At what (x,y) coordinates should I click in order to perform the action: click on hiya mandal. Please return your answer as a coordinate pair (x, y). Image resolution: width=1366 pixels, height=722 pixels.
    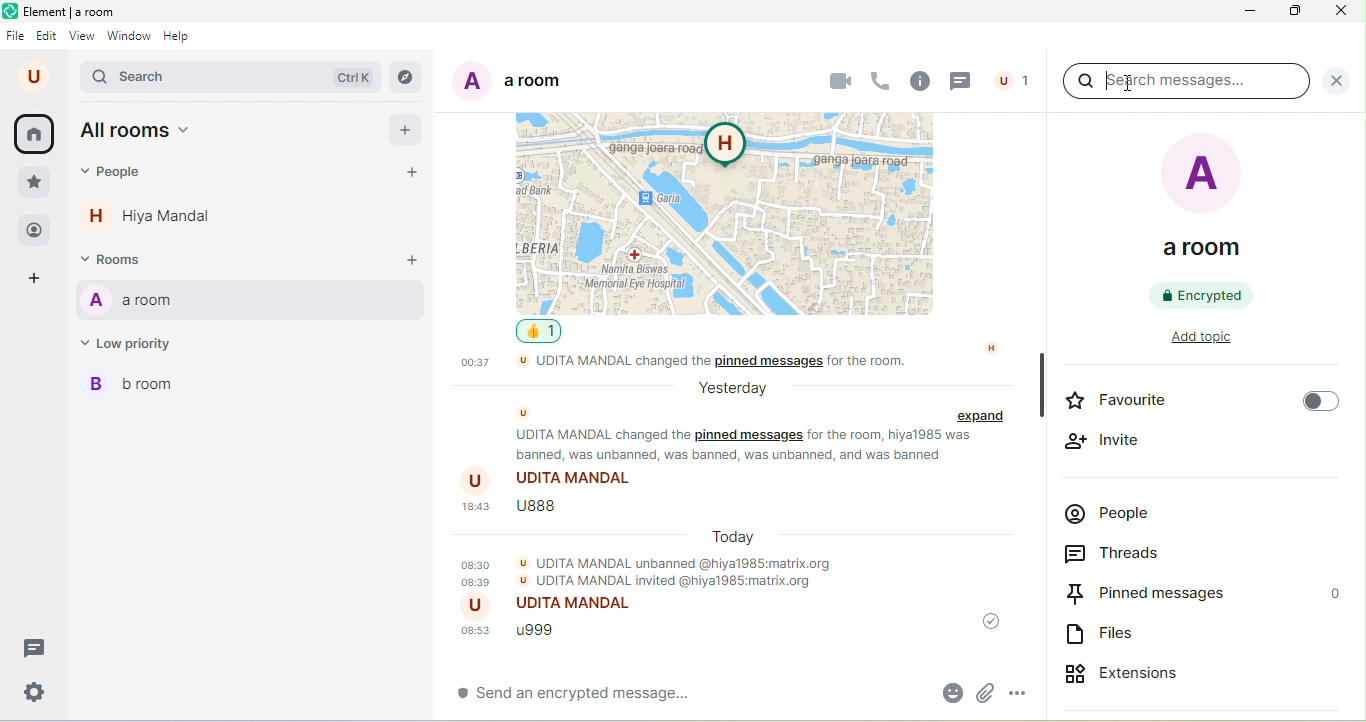
    Looking at the image, I should click on (157, 220).